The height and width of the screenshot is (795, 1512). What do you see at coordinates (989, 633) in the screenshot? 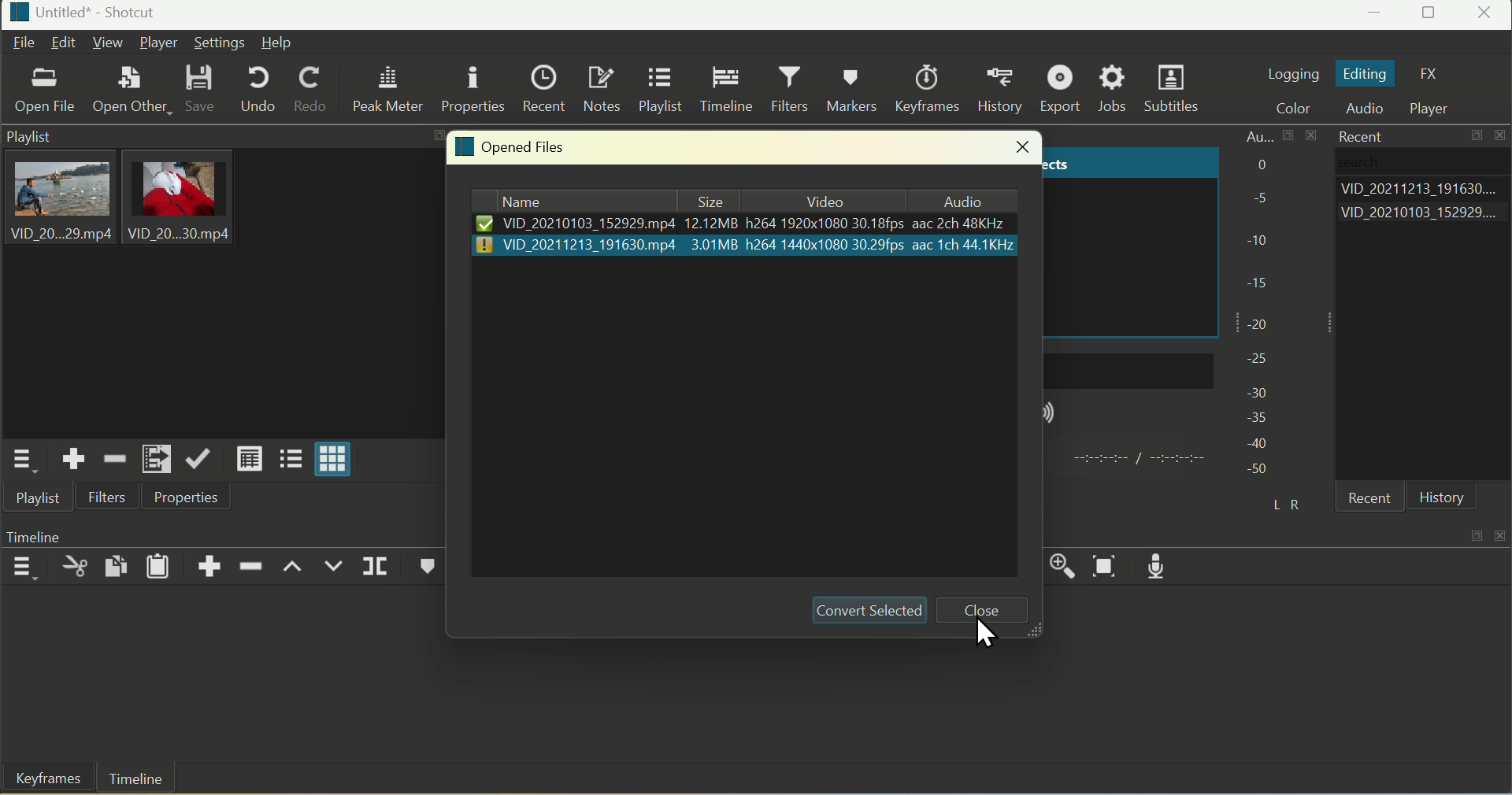
I see `cursor` at bounding box center [989, 633].